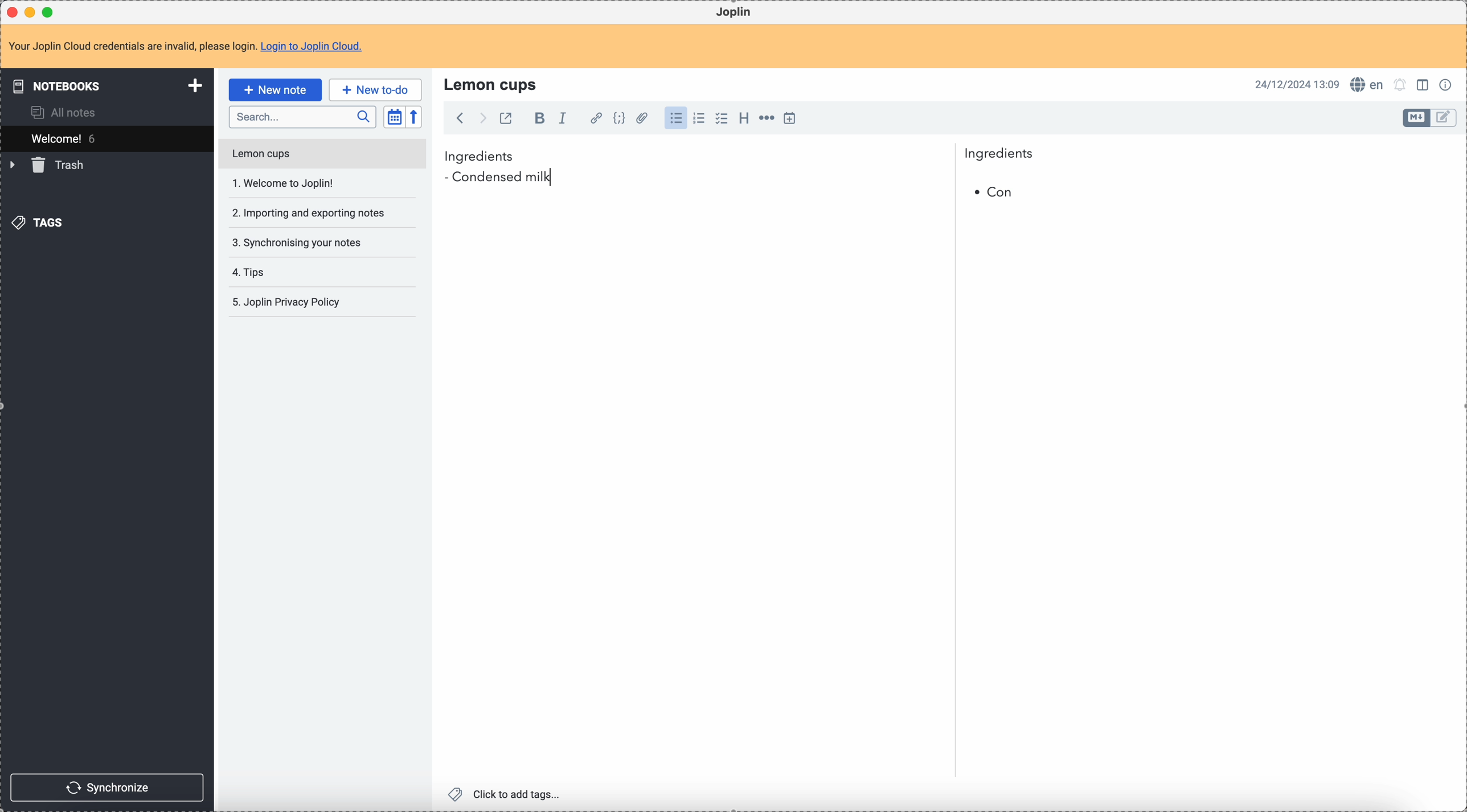 Image resolution: width=1467 pixels, height=812 pixels. I want to click on bold, so click(536, 119).